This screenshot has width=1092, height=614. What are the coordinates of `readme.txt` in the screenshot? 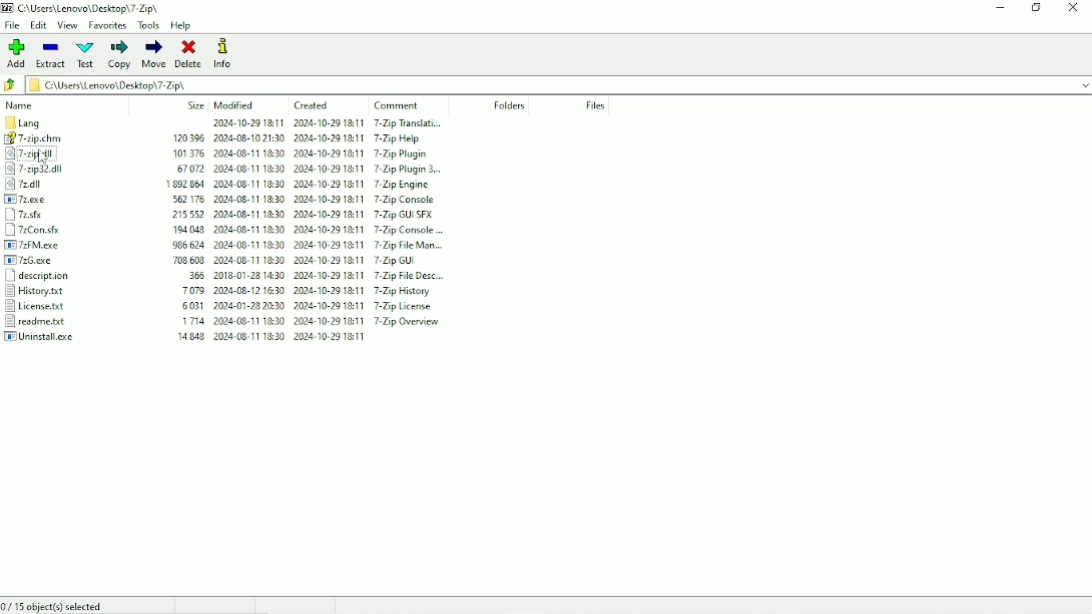 It's located at (224, 321).